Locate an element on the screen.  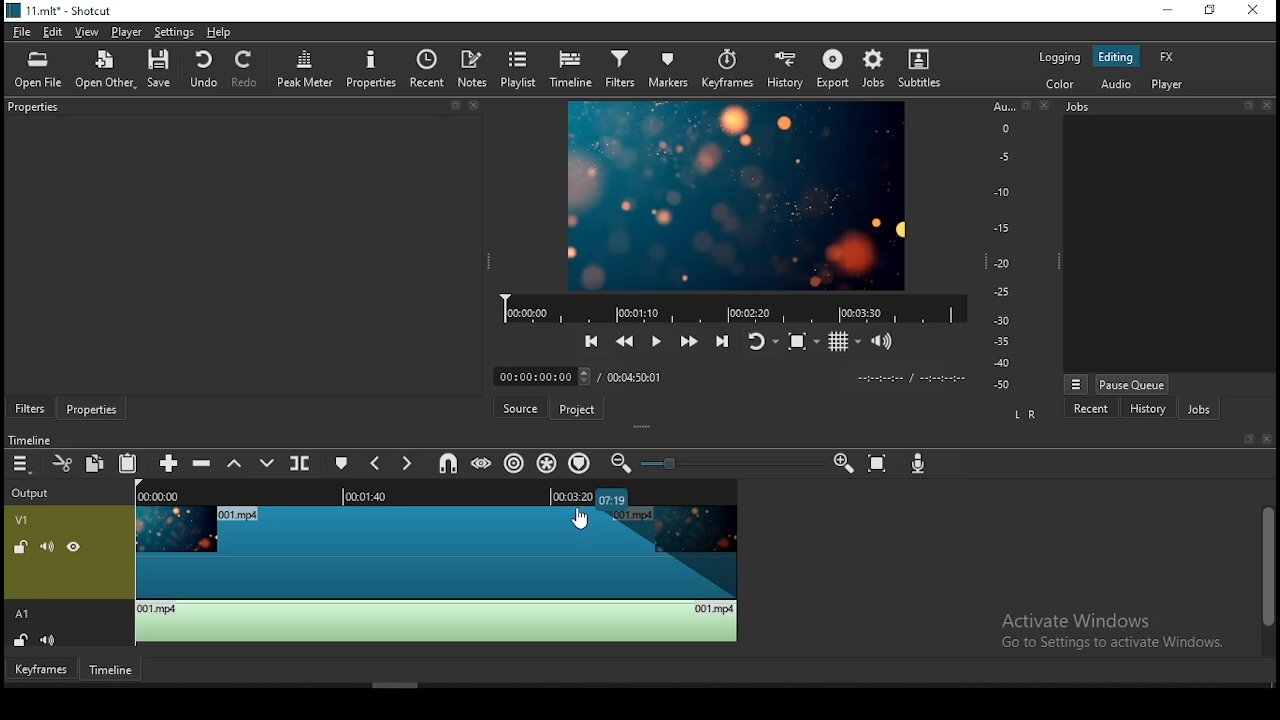
previous marker is located at coordinates (375, 463).